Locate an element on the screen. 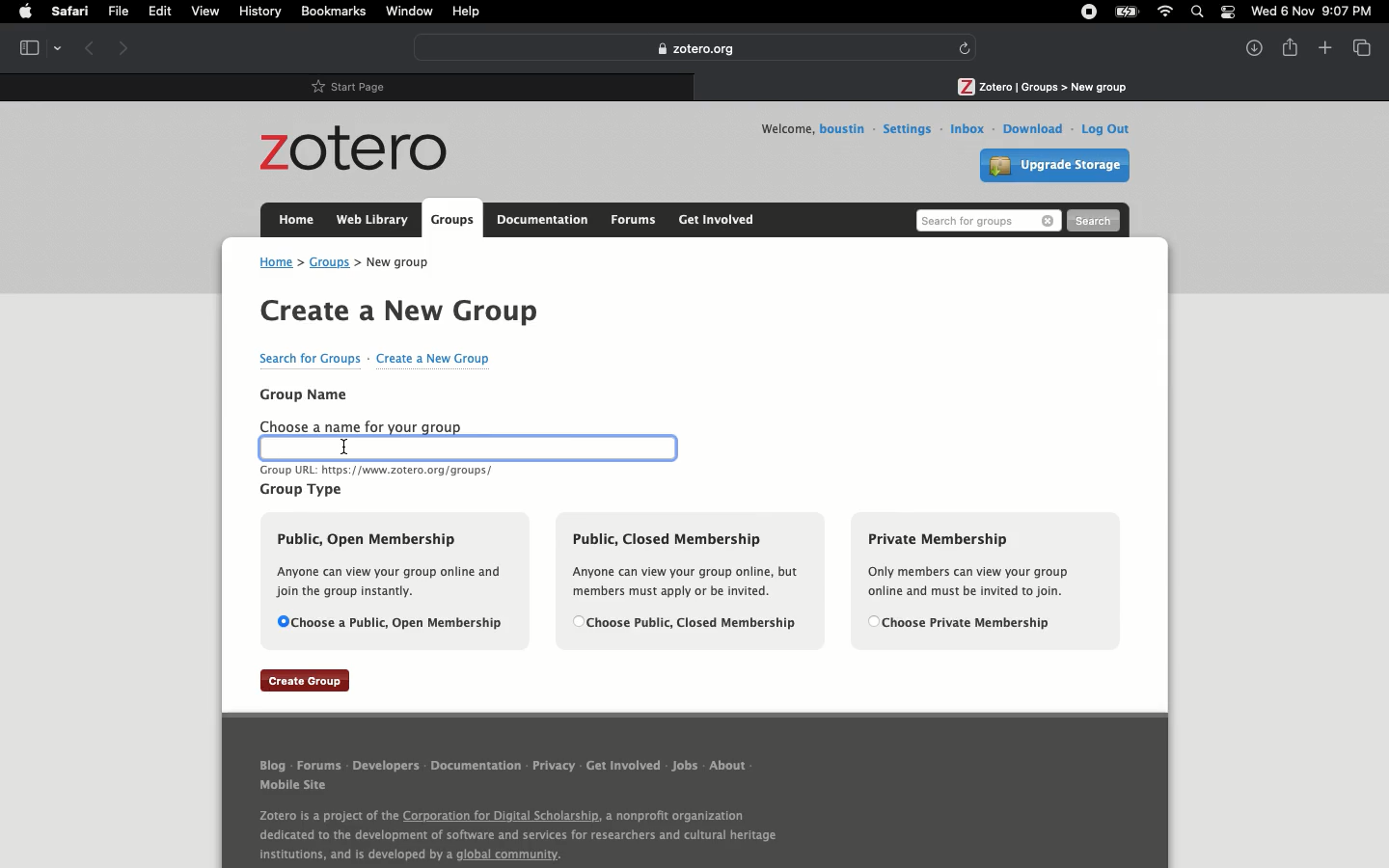 This screenshot has width=1389, height=868. Recording is located at coordinates (1088, 14).